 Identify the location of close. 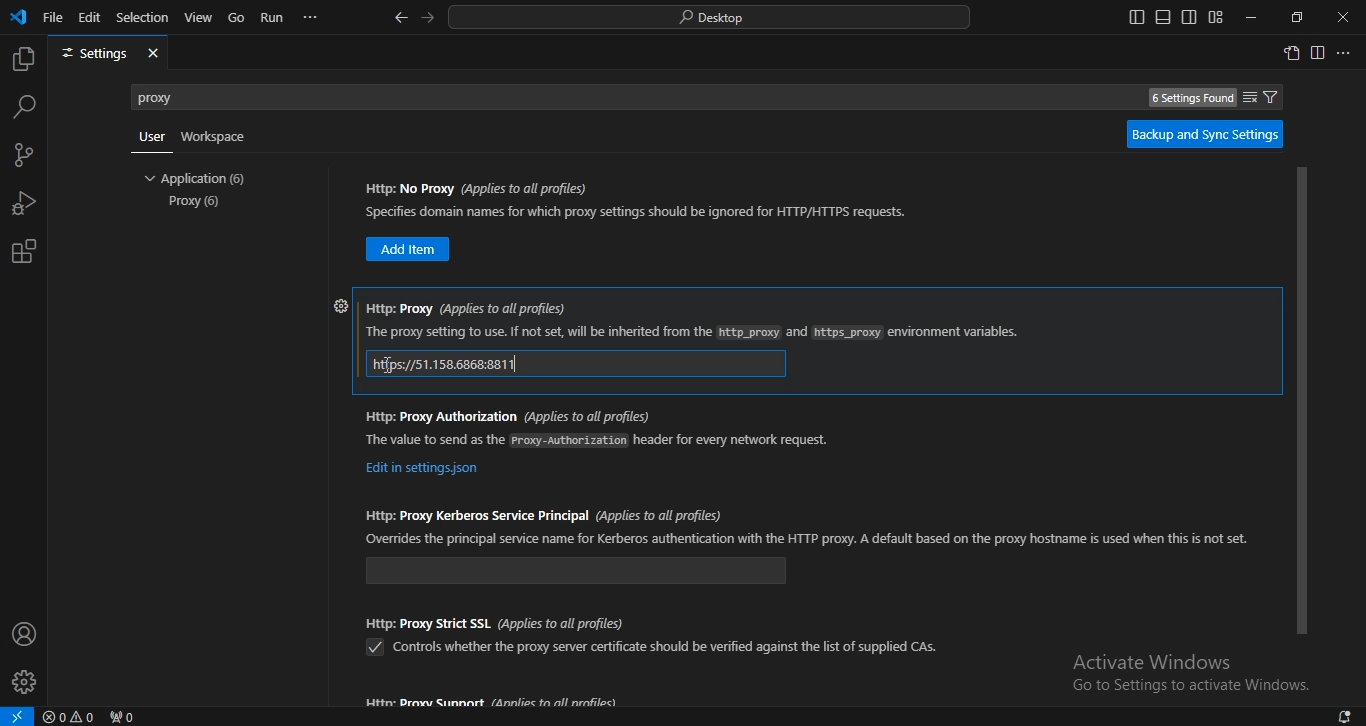
(154, 53).